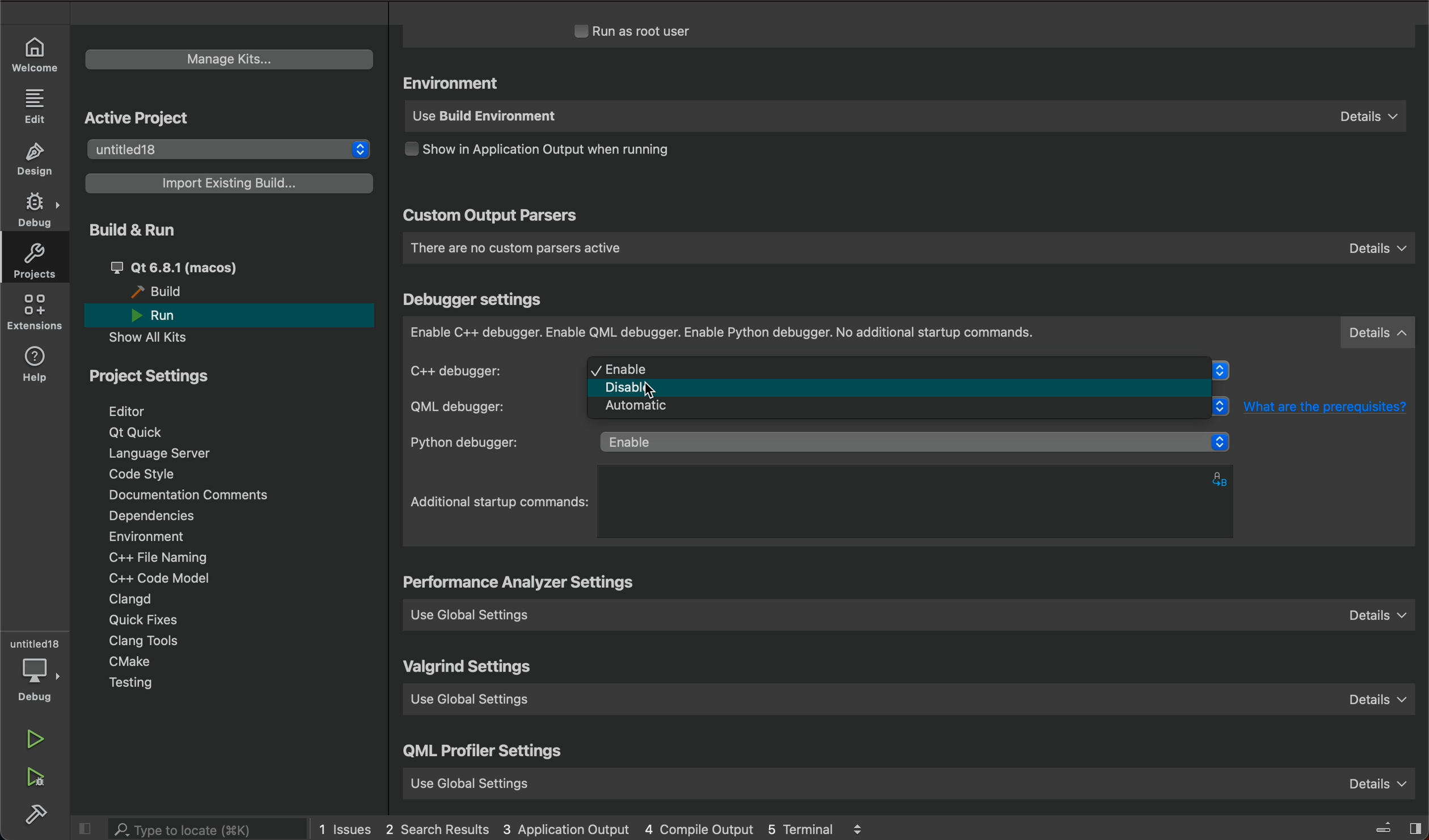 The height and width of the screenshot is (840, 1429). I want to click on What are the prerequisites?, so click(1332, 406).